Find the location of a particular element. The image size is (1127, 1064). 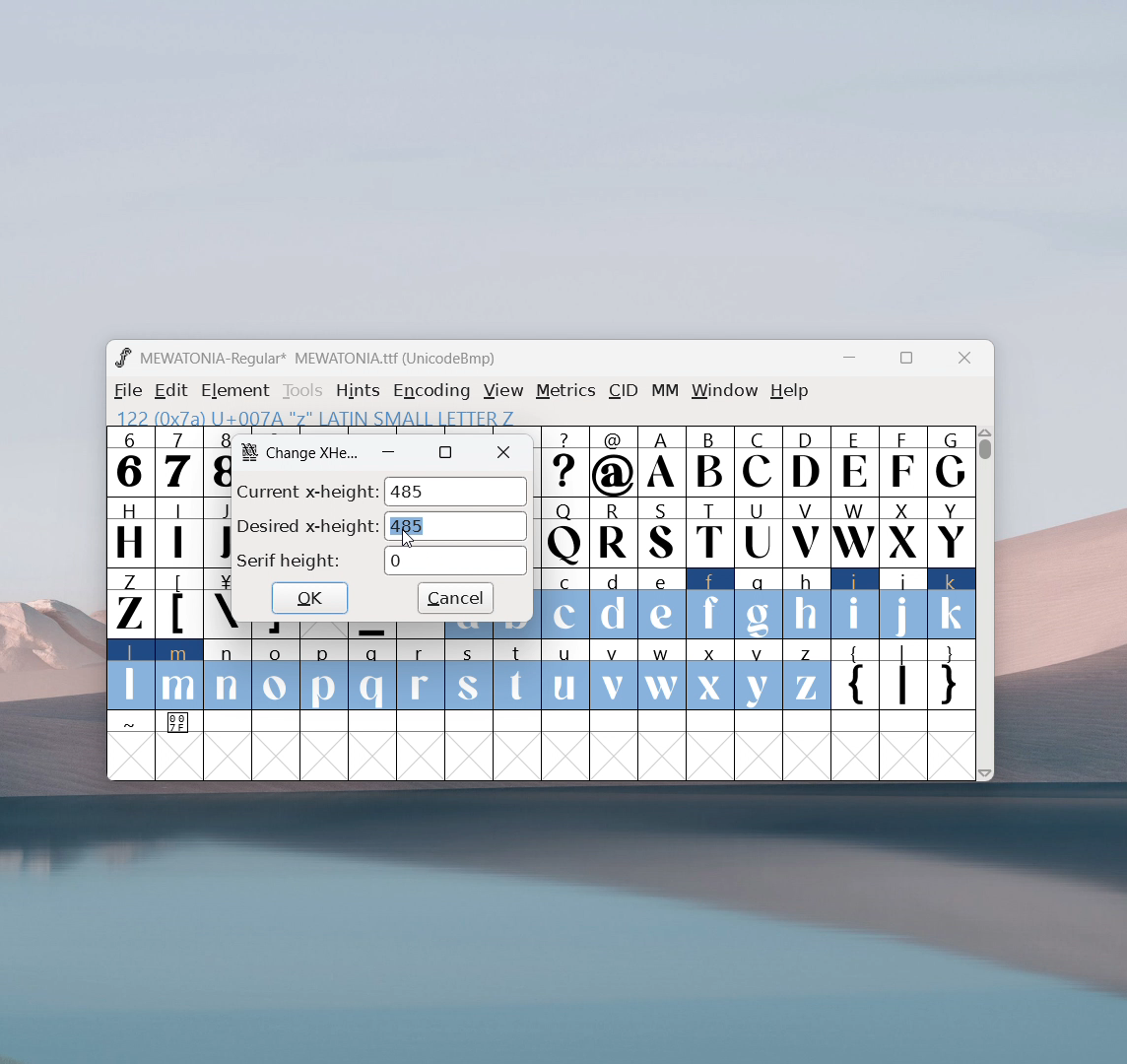

maximize is located at coordinates (445, 452).